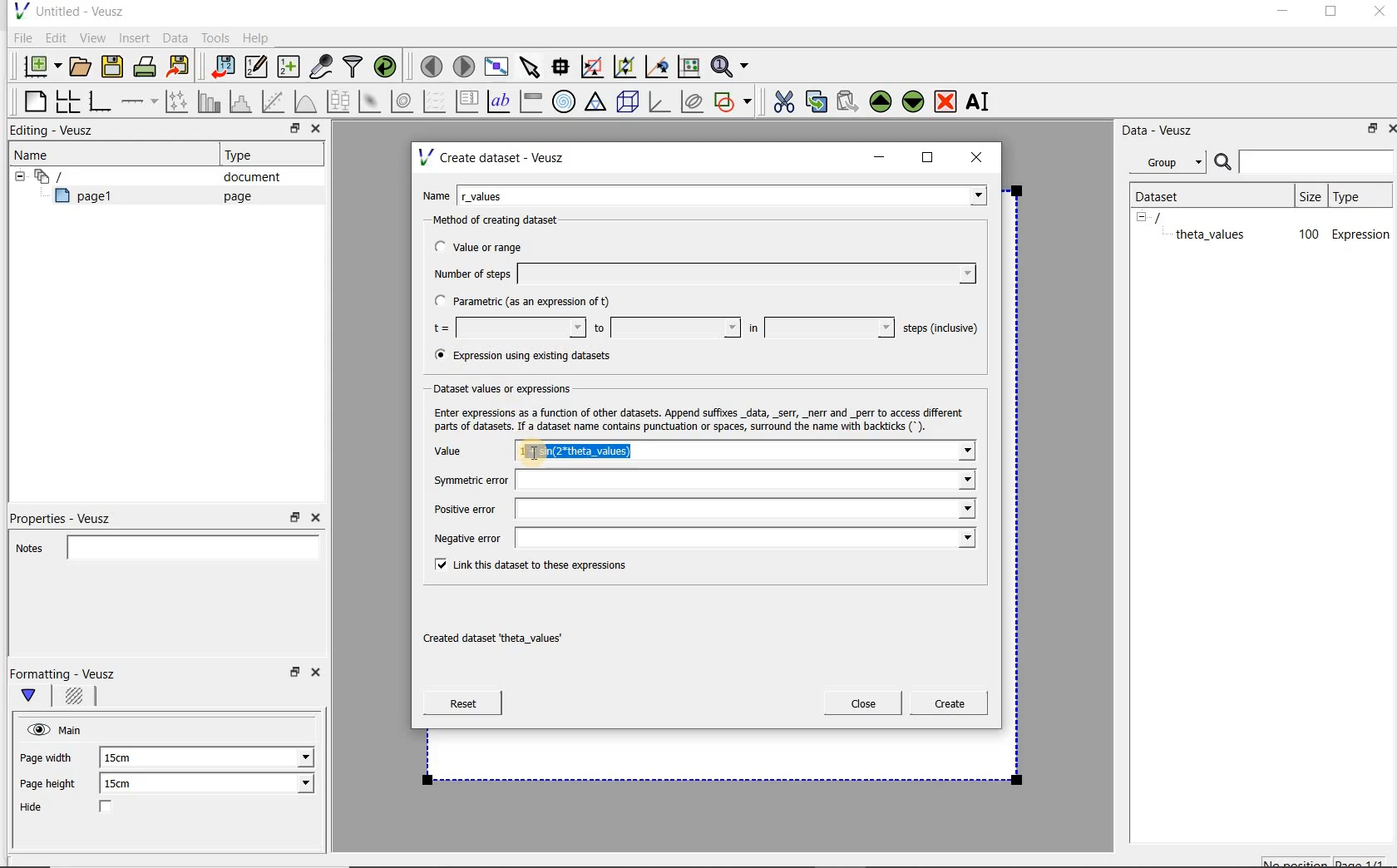 This screenshot has height=868, width=1397. What do you see at coordinates (1358, 195) in the screenshot?
I see `Type` at bounding box center [1358, 195].